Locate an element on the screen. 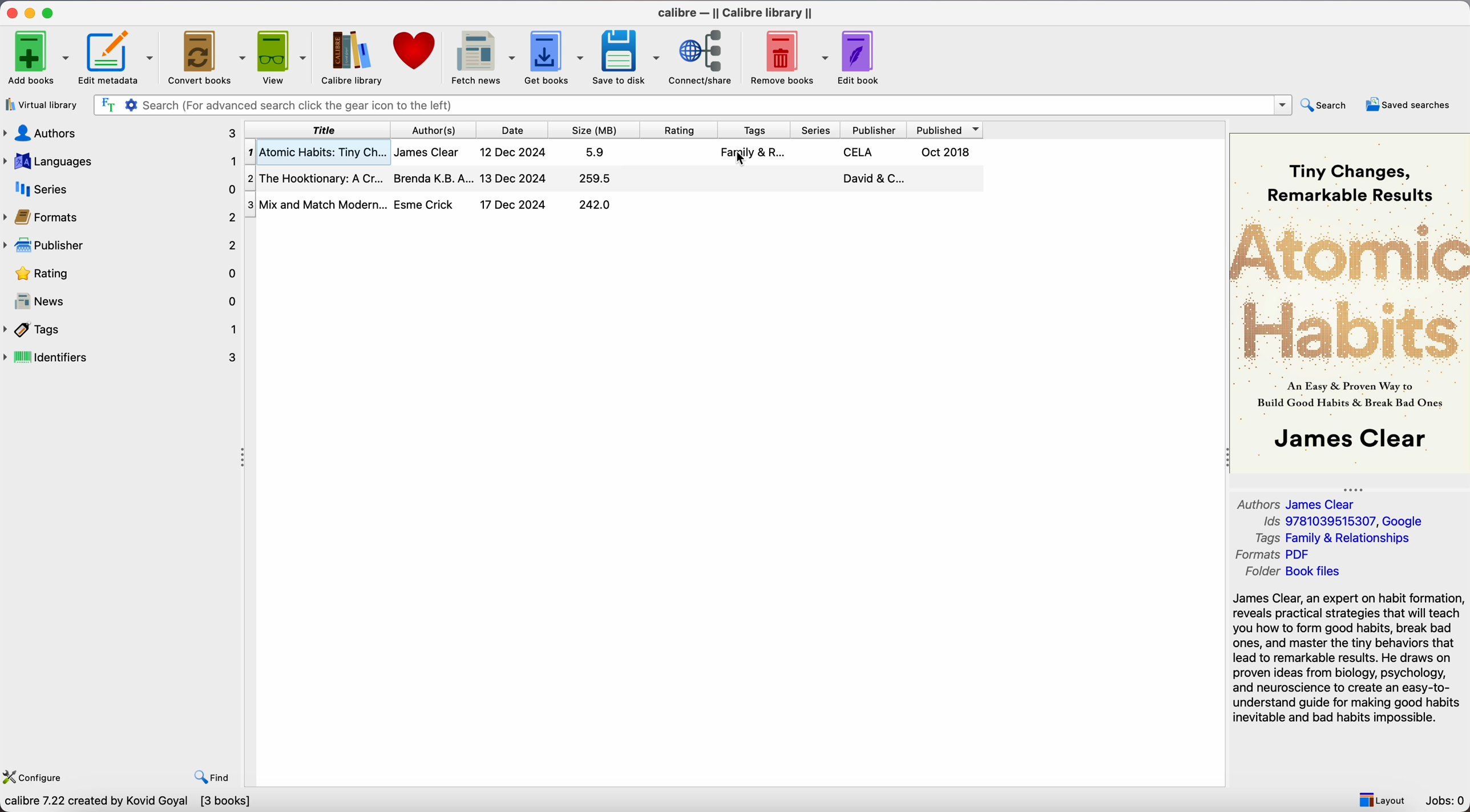  find is located at coordinates (212, 778).